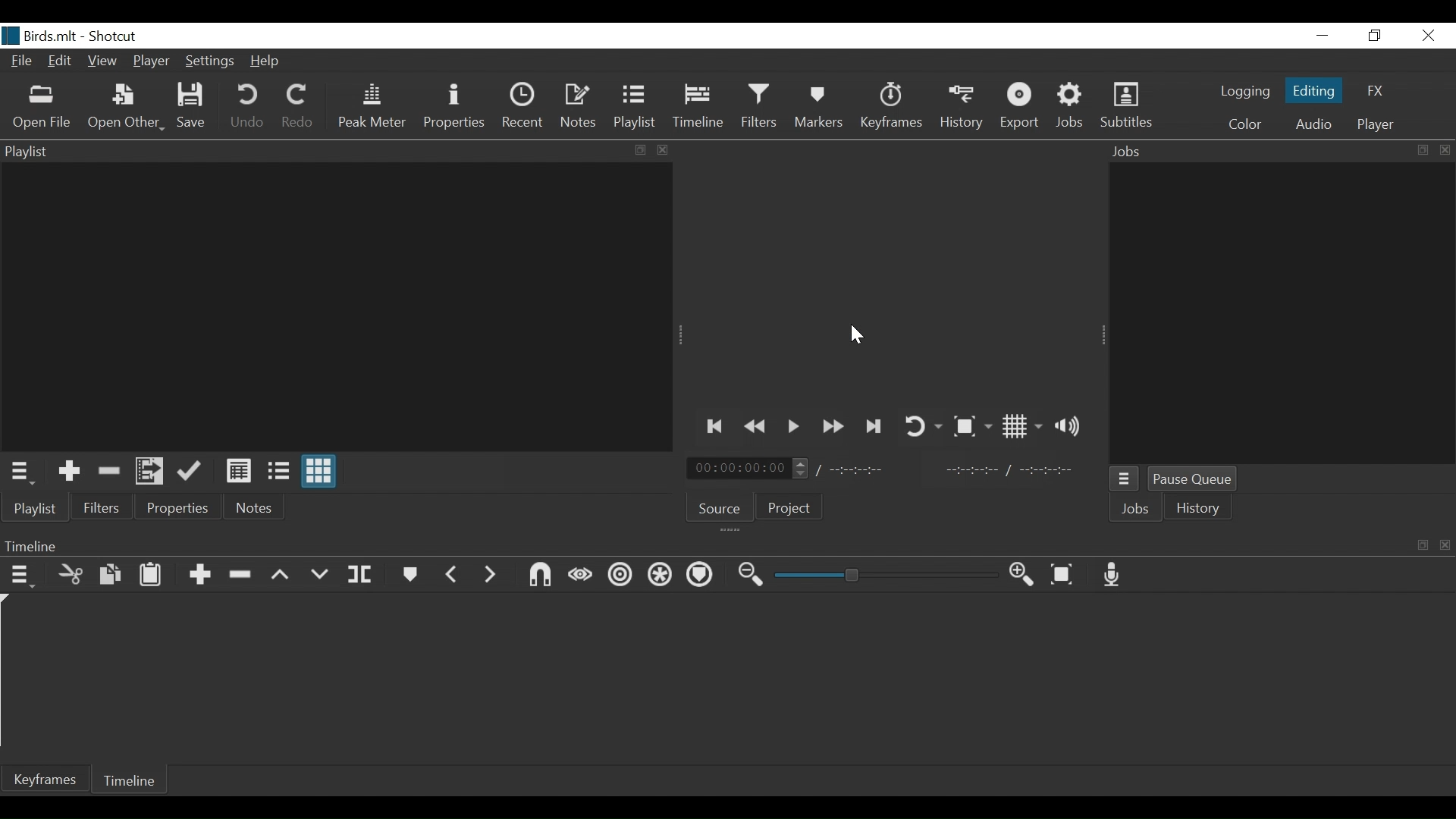  Describe the element at coordinates (752, 469) in the screenshot. I see `Current position` at that location.